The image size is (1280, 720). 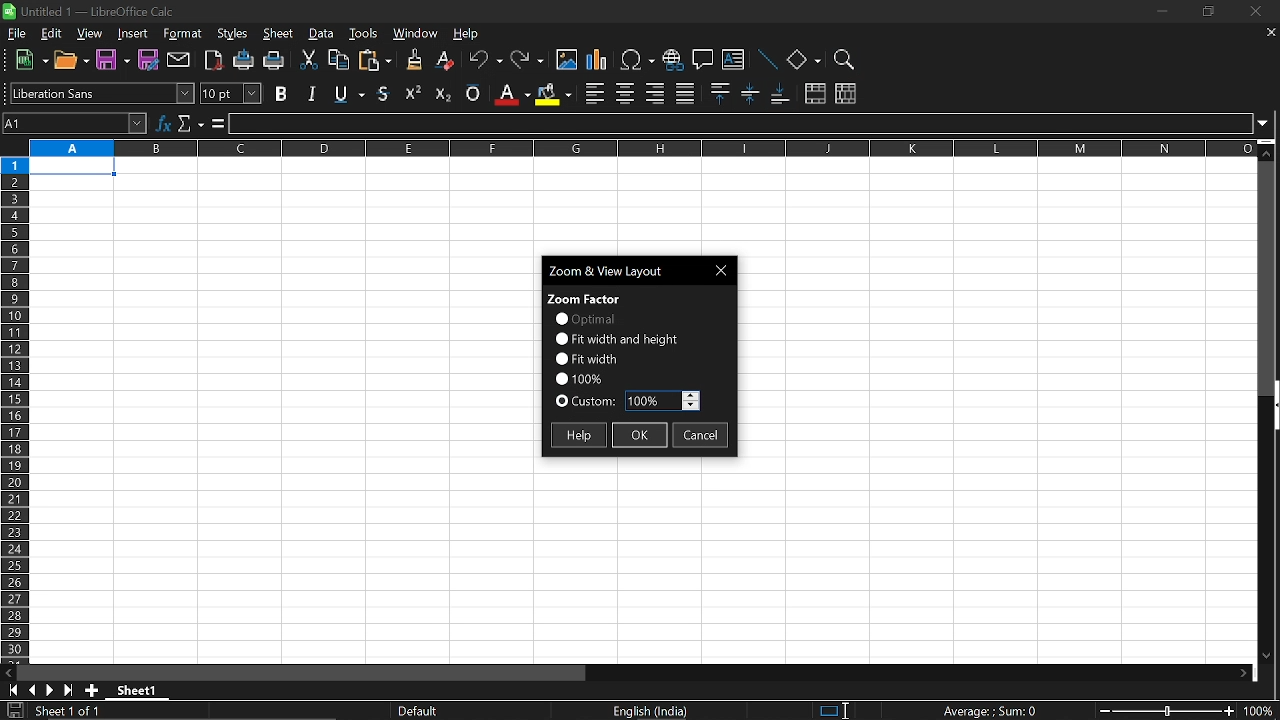 I want to click on undo, so click(x=486, y=62).